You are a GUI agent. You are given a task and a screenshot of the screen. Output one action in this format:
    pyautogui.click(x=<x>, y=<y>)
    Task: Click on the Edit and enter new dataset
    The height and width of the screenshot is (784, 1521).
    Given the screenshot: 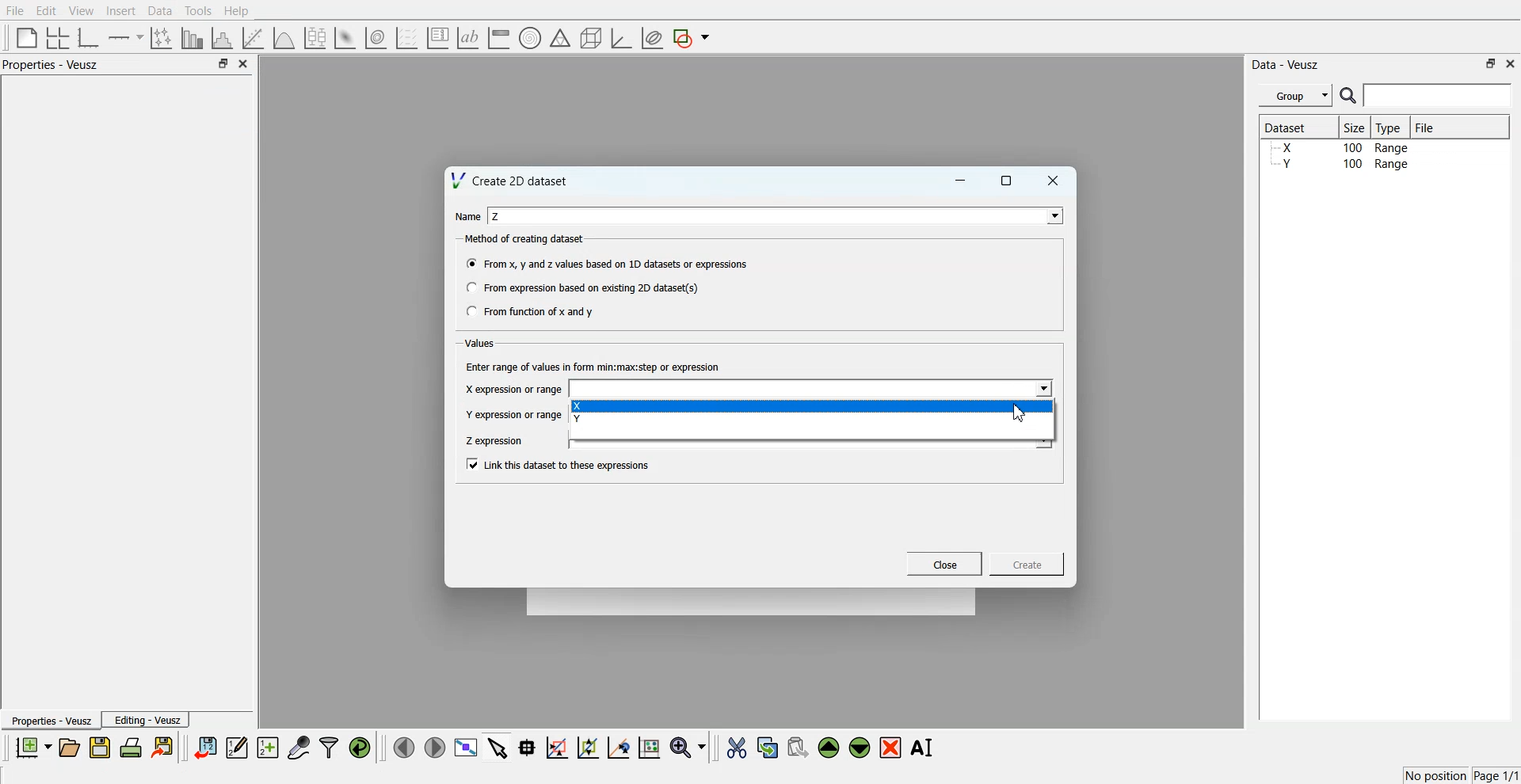 What is the action you would take?
    pyautogui.click(x=236, y=747)
    